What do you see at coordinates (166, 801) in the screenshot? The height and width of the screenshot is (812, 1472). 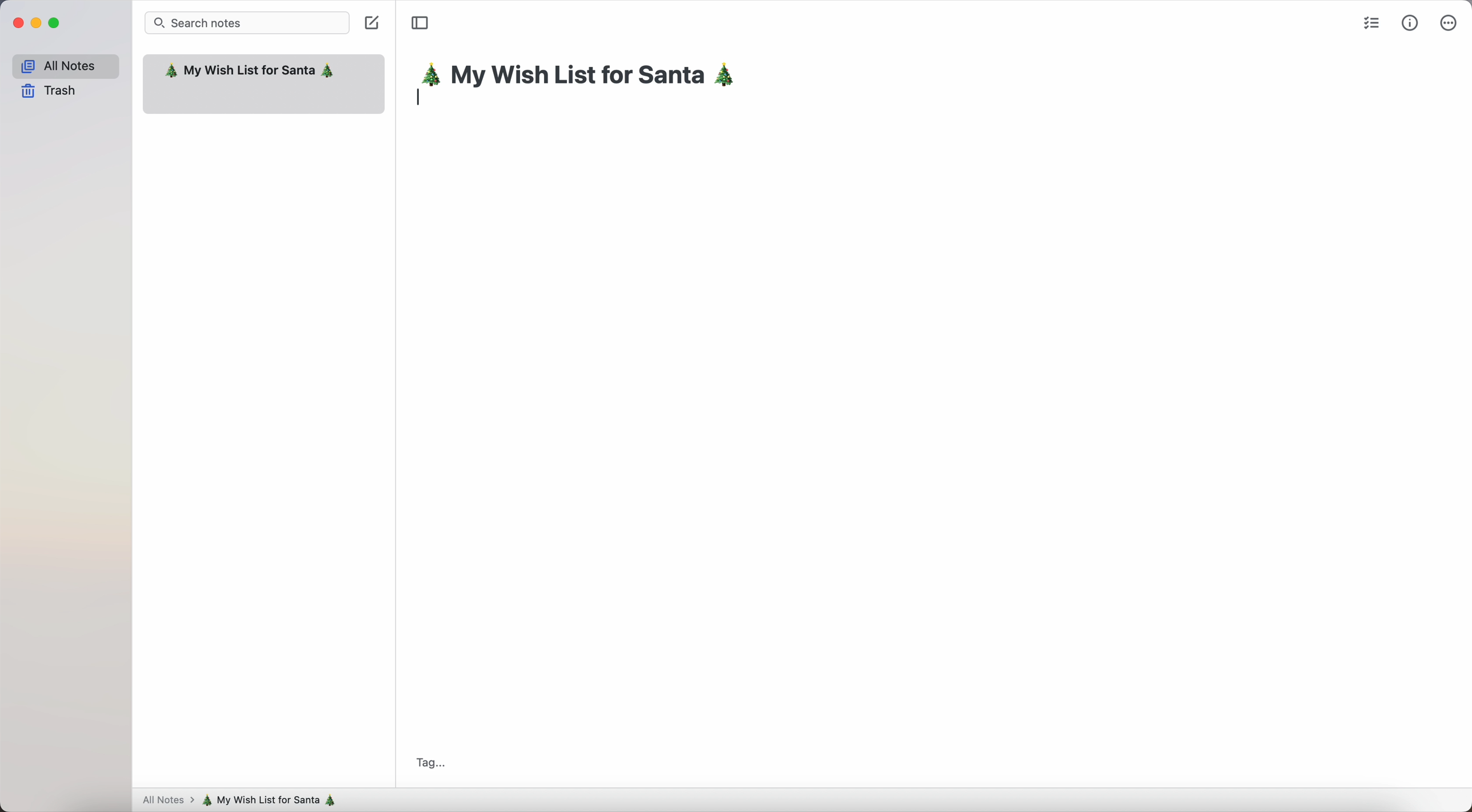 I see `all notes` at bounding box center [166, 801].